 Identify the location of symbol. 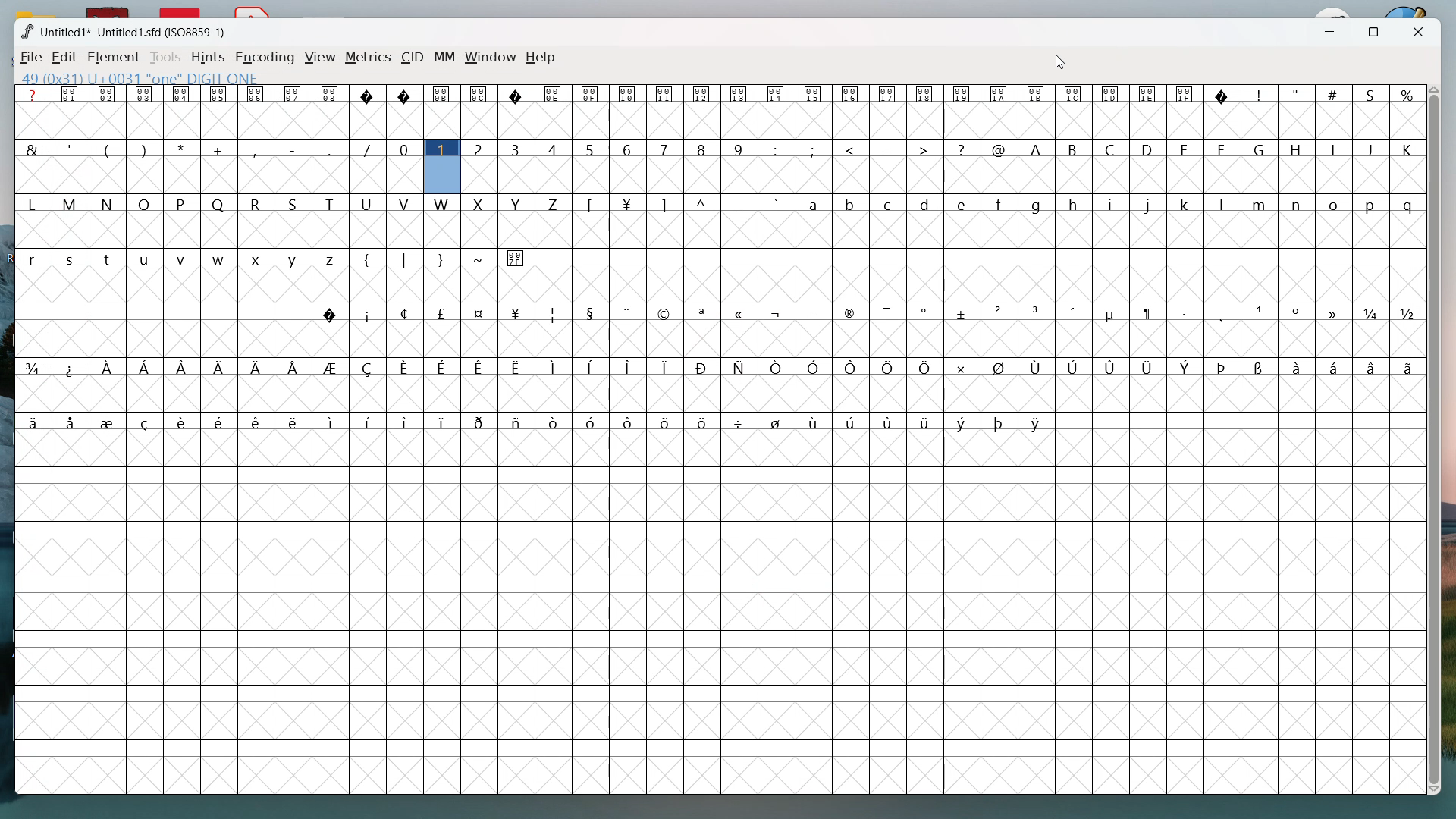
(1372, 315).